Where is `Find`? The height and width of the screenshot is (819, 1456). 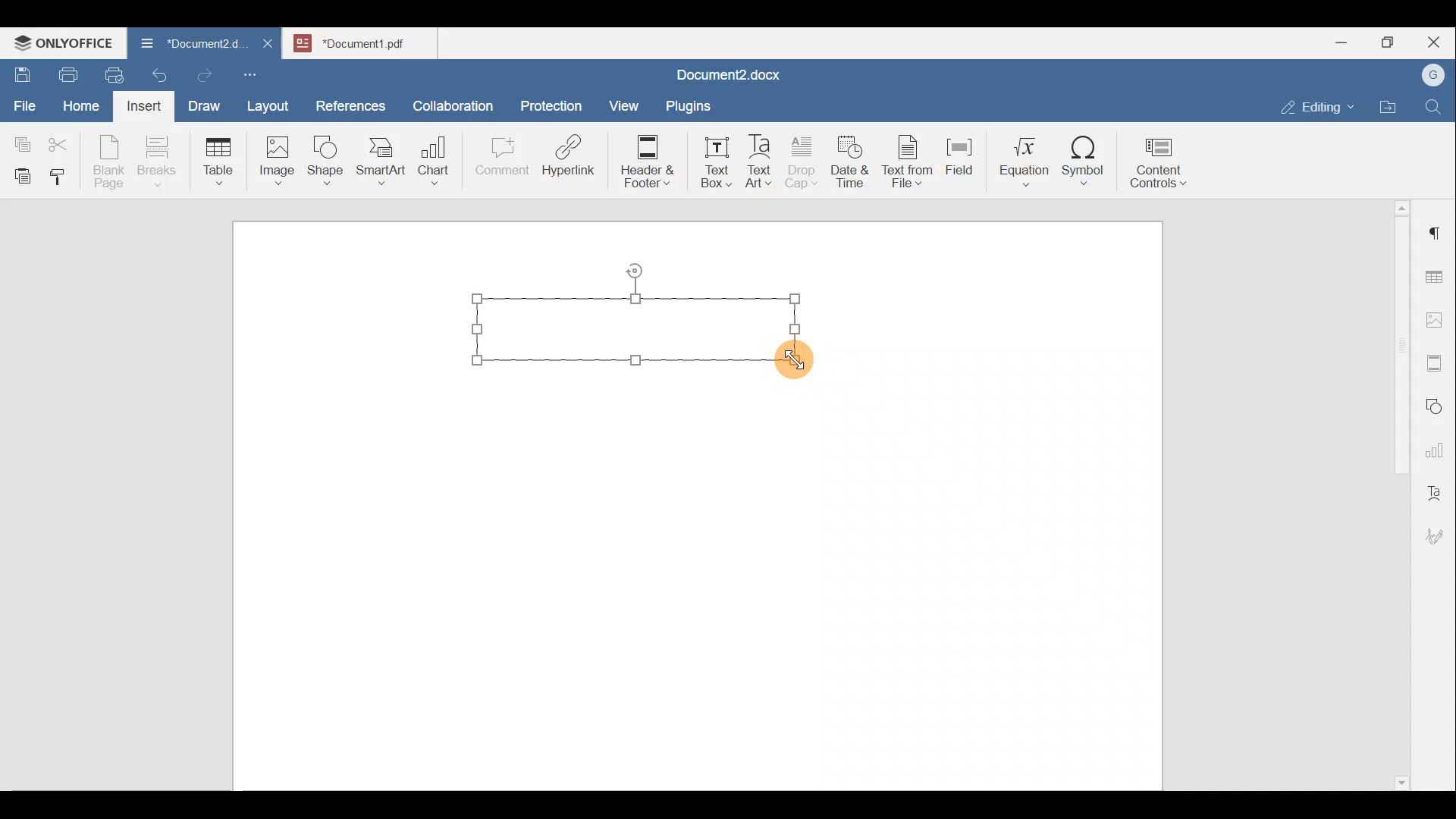 Find is located at coordinates (1435, 108).